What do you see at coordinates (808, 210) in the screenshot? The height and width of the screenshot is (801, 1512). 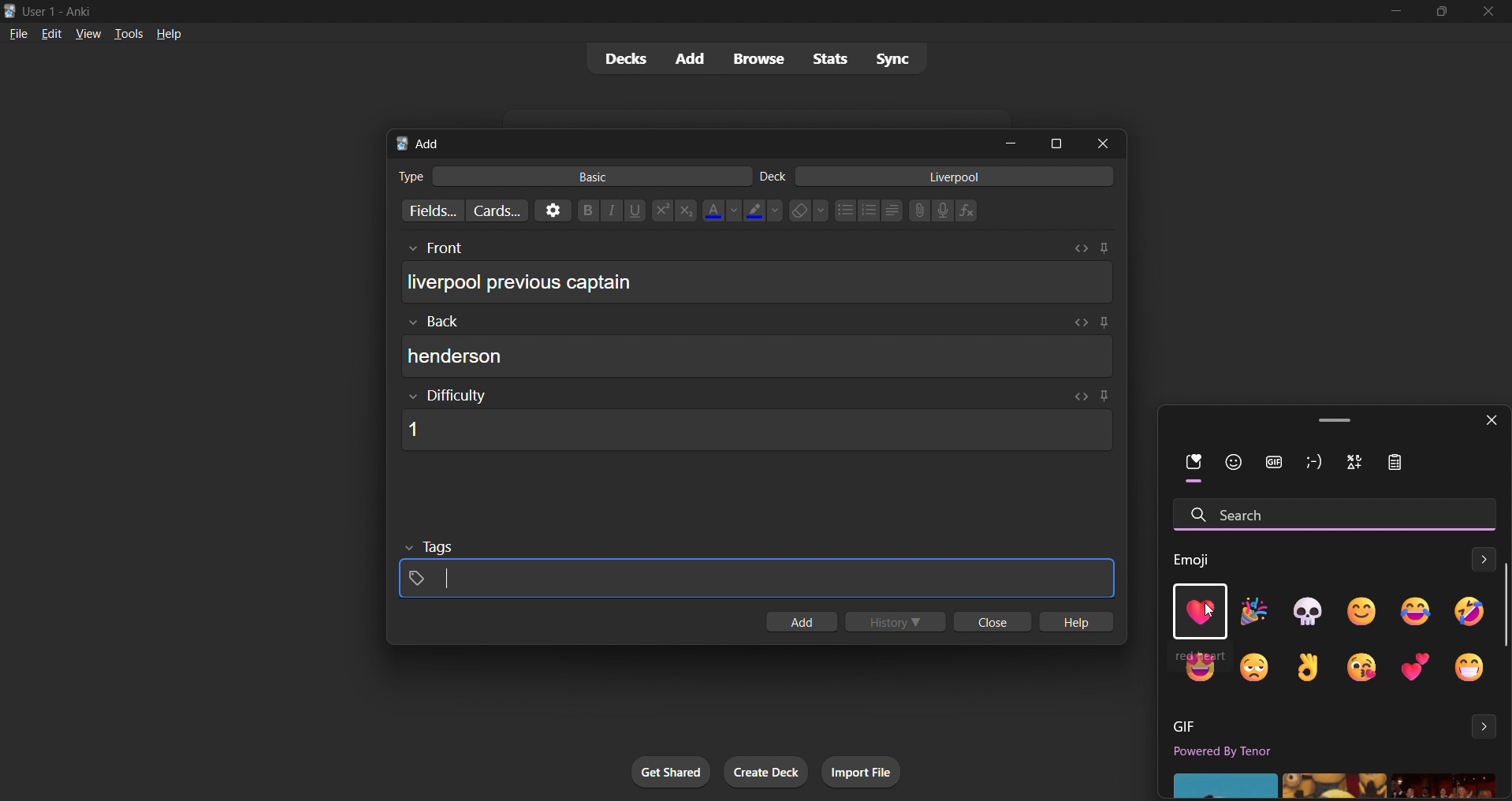 I see `clear` at bounding box center [808, 210].